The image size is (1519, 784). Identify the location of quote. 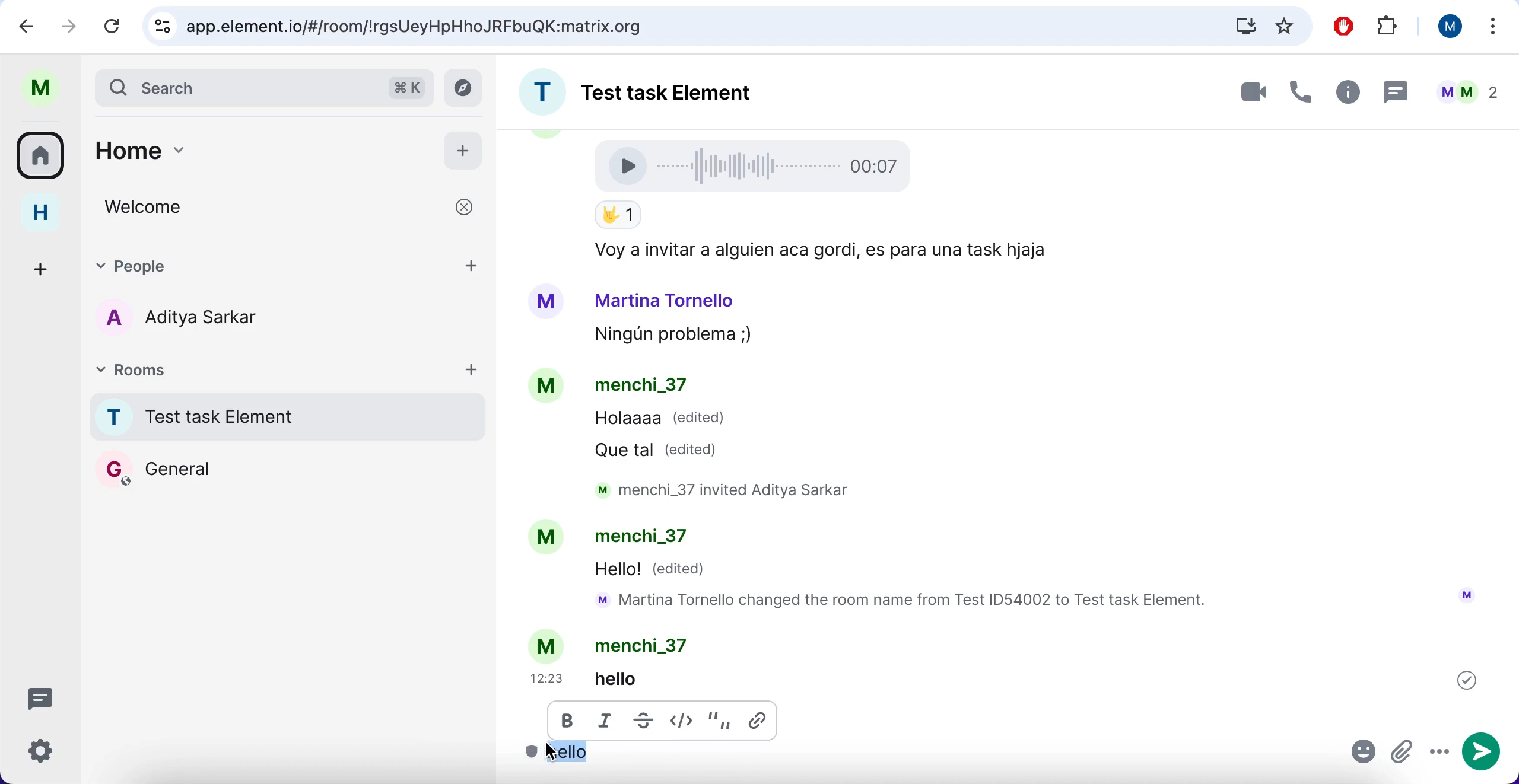
(722, 718).